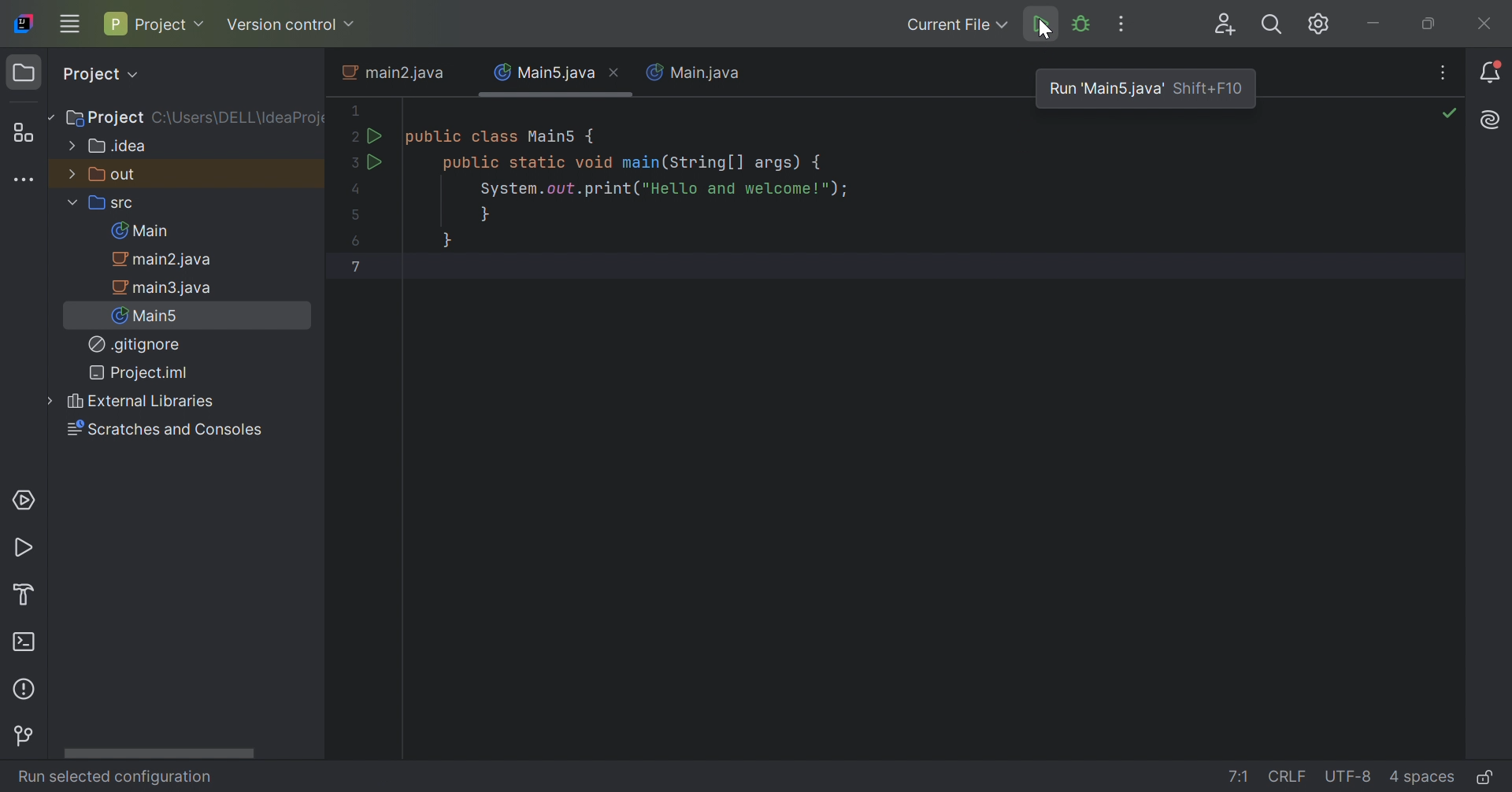 This screenshot has width=1512, height=792. What do you see at coordinates (1048, 31) in the screenshot?
I see `cursor` at bounding box center [1048, 31].